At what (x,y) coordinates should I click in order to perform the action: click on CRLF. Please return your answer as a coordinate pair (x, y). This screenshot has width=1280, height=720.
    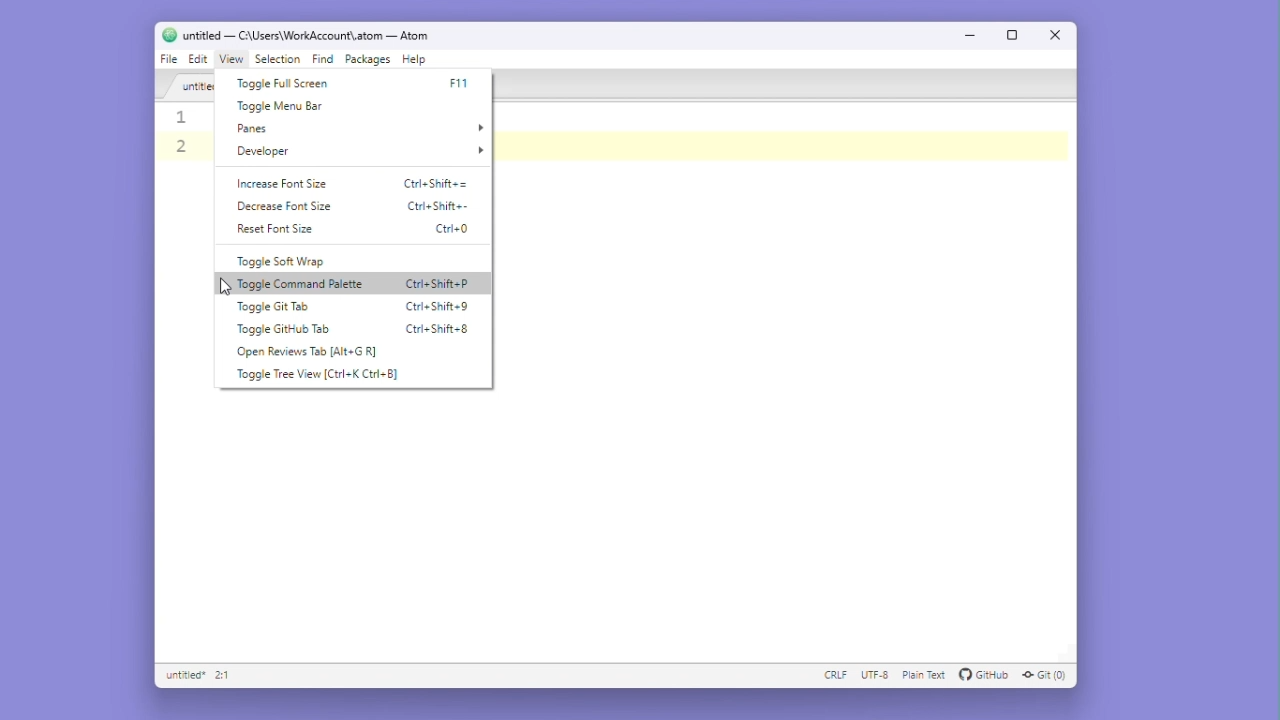
    Looking at the image, I should click on (831, 677).